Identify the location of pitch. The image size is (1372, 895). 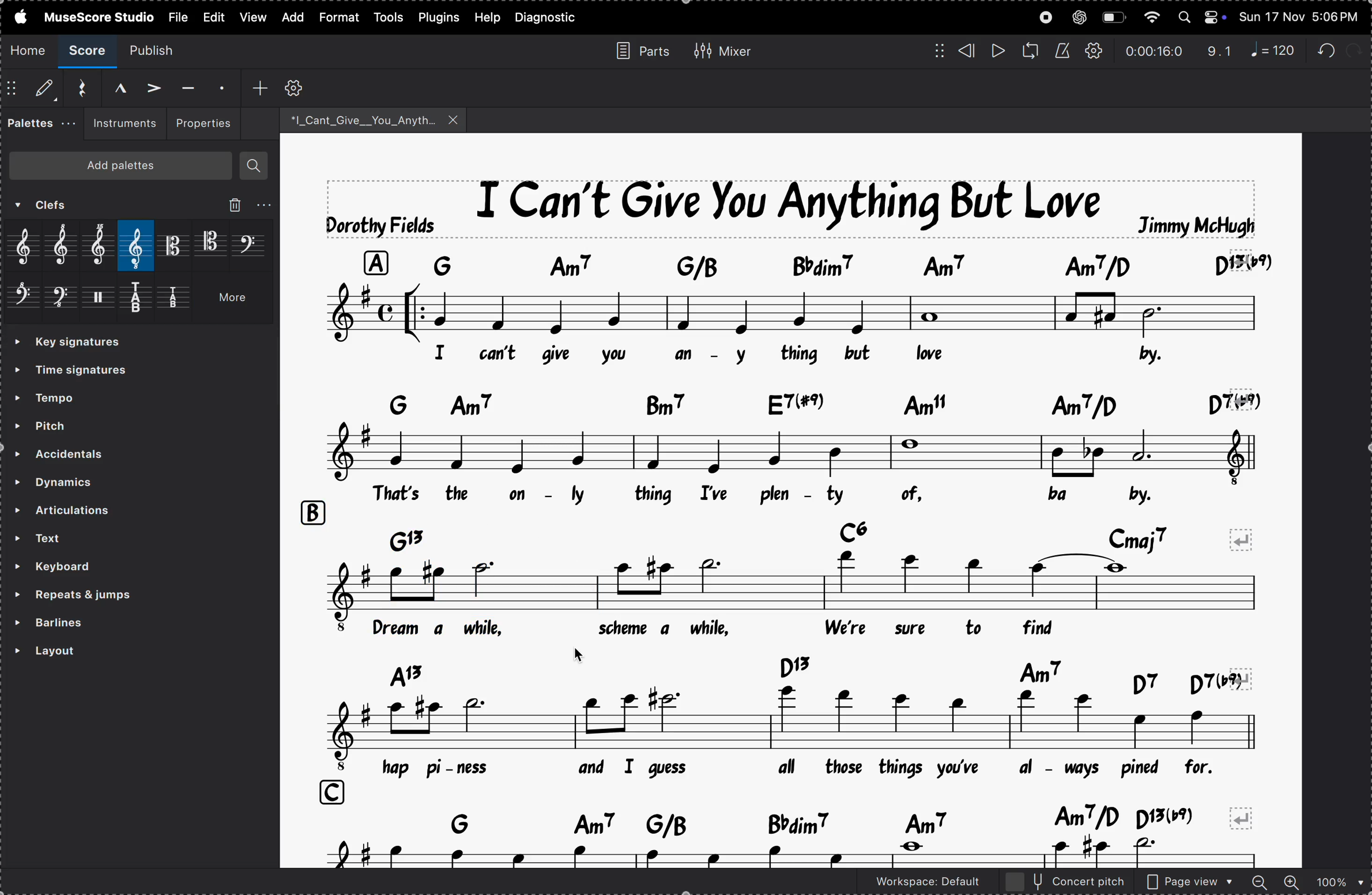
(77, 424).